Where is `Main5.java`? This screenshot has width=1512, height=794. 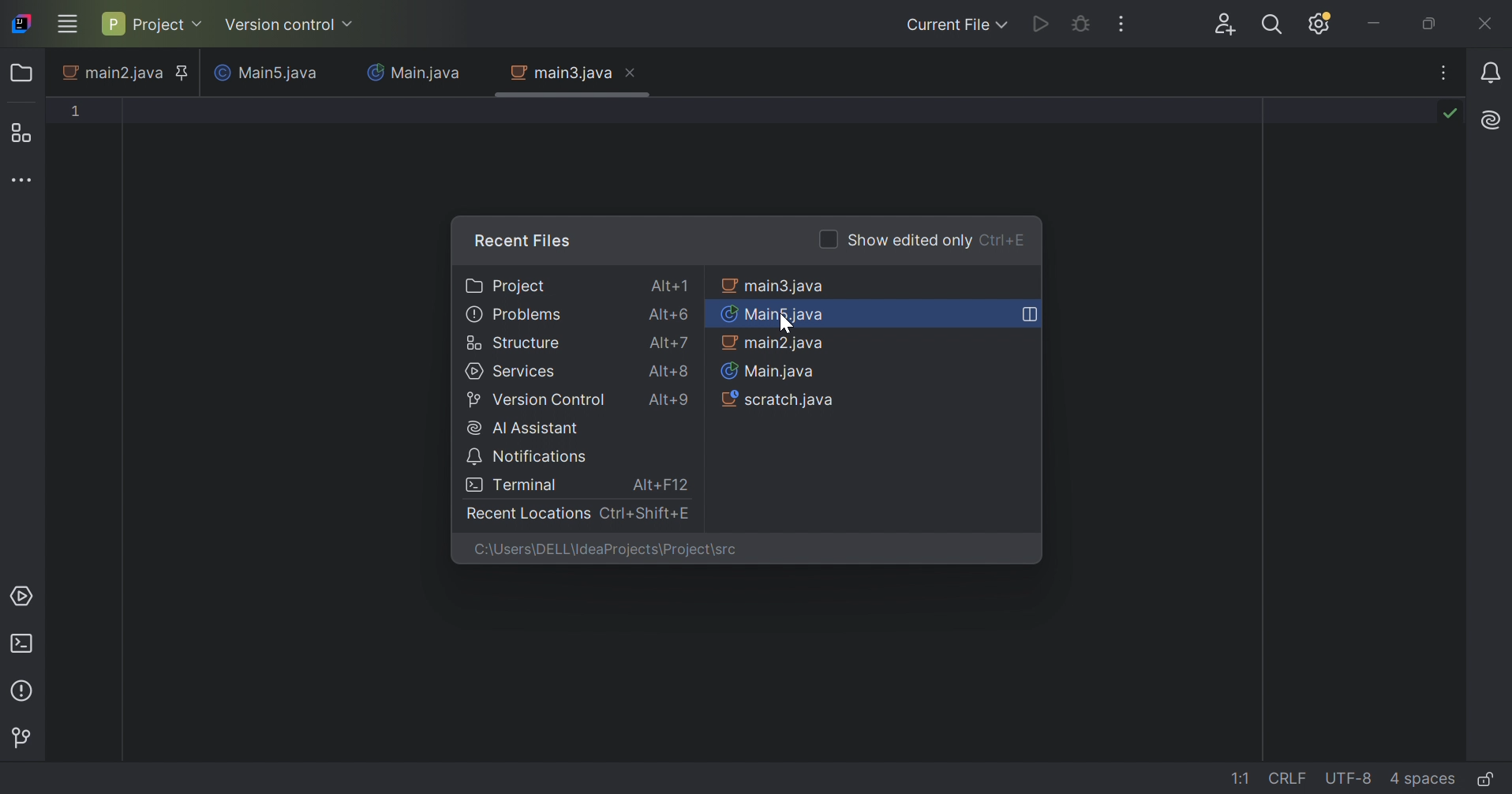 Main5.java is located at coordinates (777, 314).